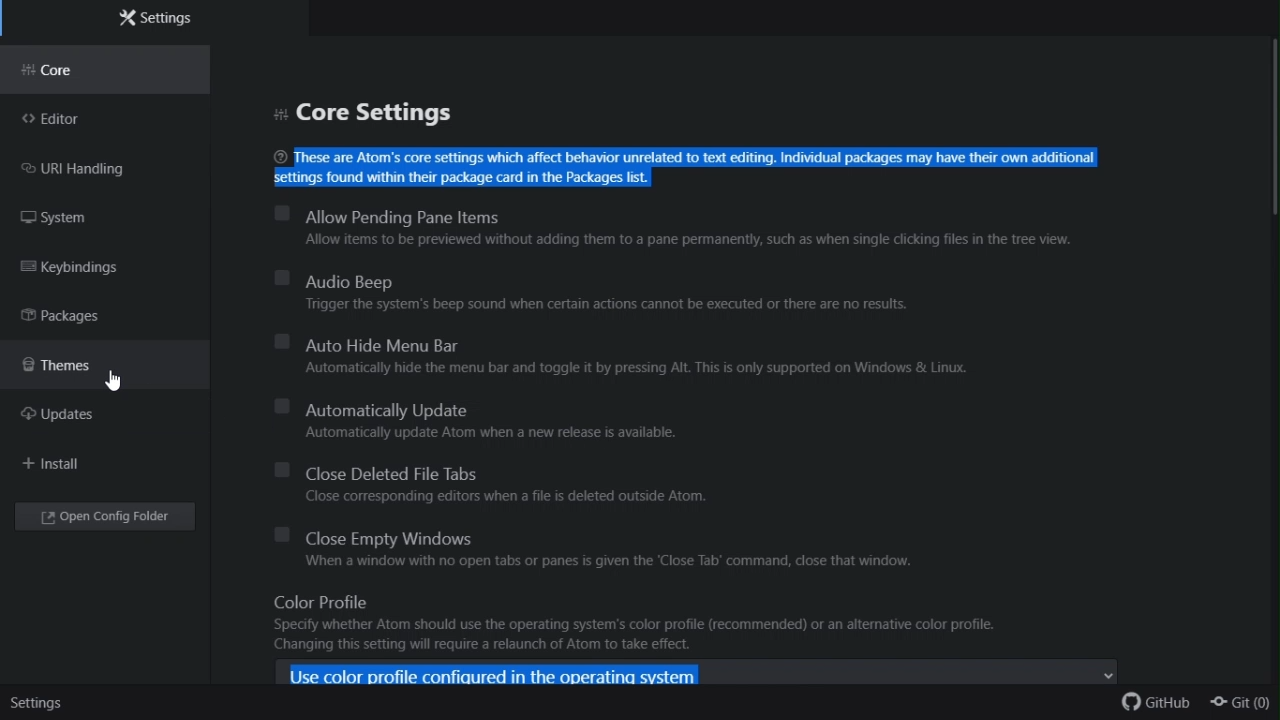 Image resolution: width=1280 pixels, height=720 pixels. Describe the element at coordinates (83, 371) in the screenshot. I see `Themes` at that location.